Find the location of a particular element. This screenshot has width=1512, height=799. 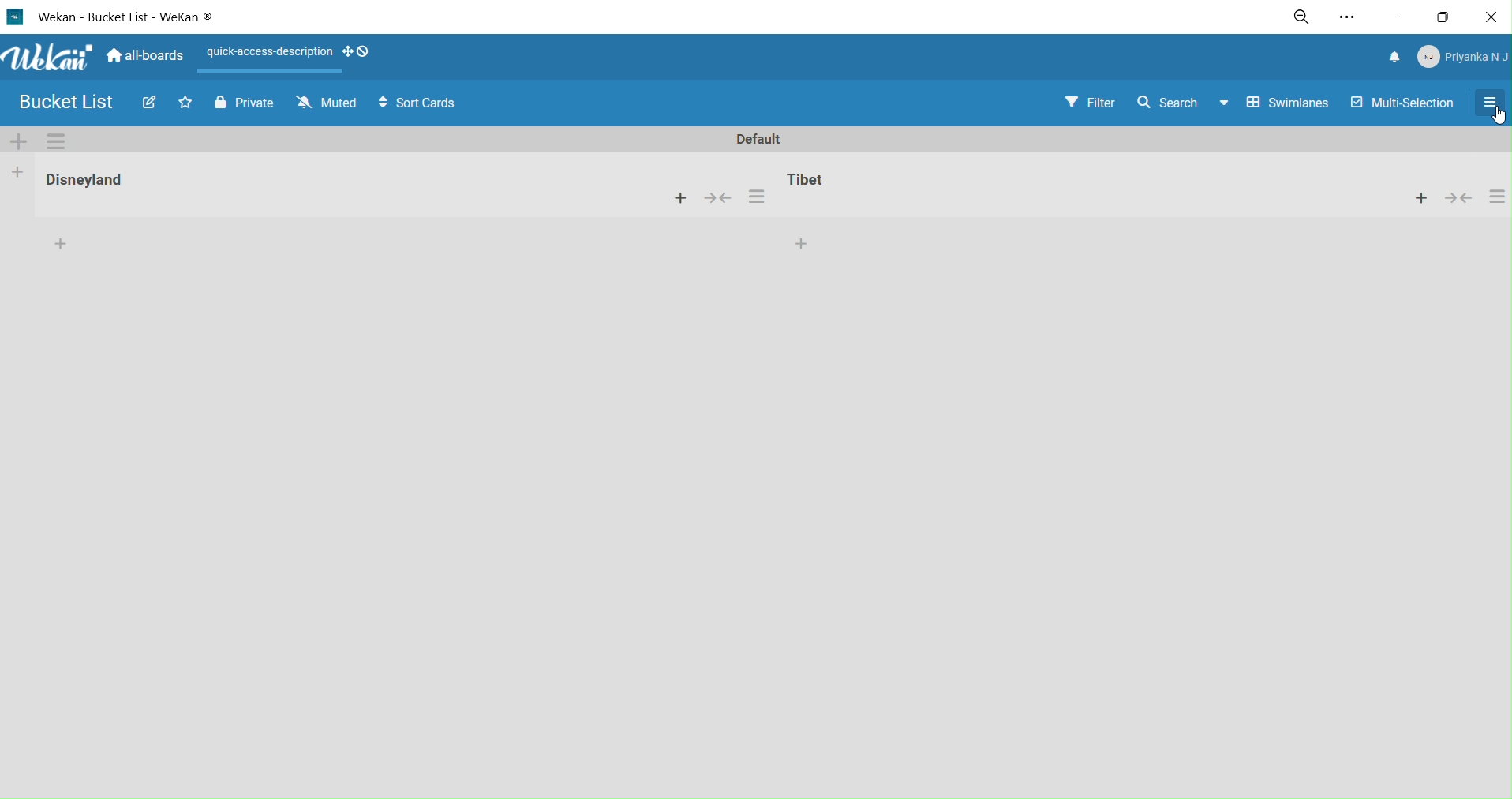

private is located at coordinates (243, 103).